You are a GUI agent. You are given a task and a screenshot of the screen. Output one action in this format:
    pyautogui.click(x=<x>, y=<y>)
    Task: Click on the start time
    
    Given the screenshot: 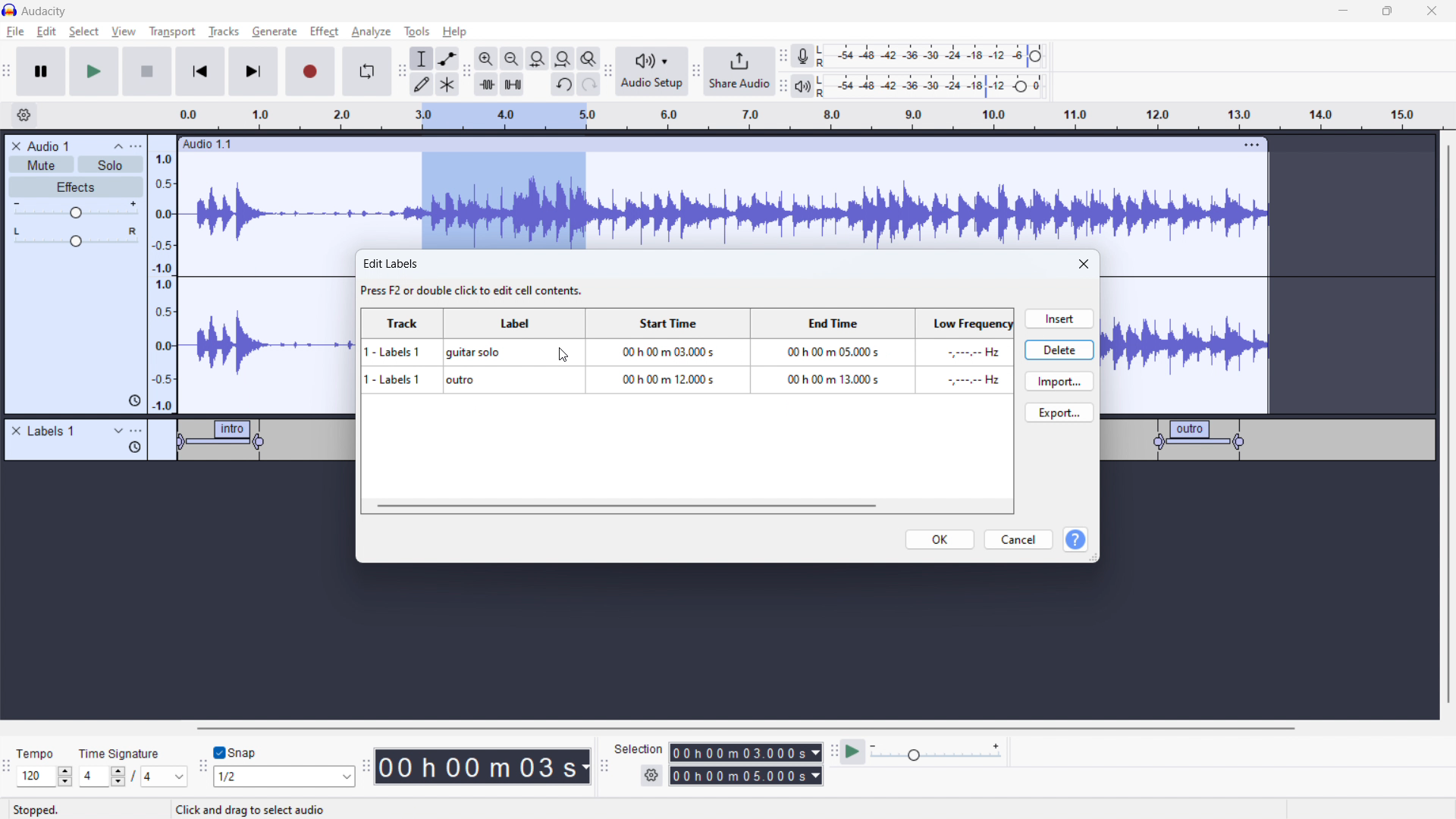 What is the action you would take?
    pyautogui.click(x=666, y=365)
    